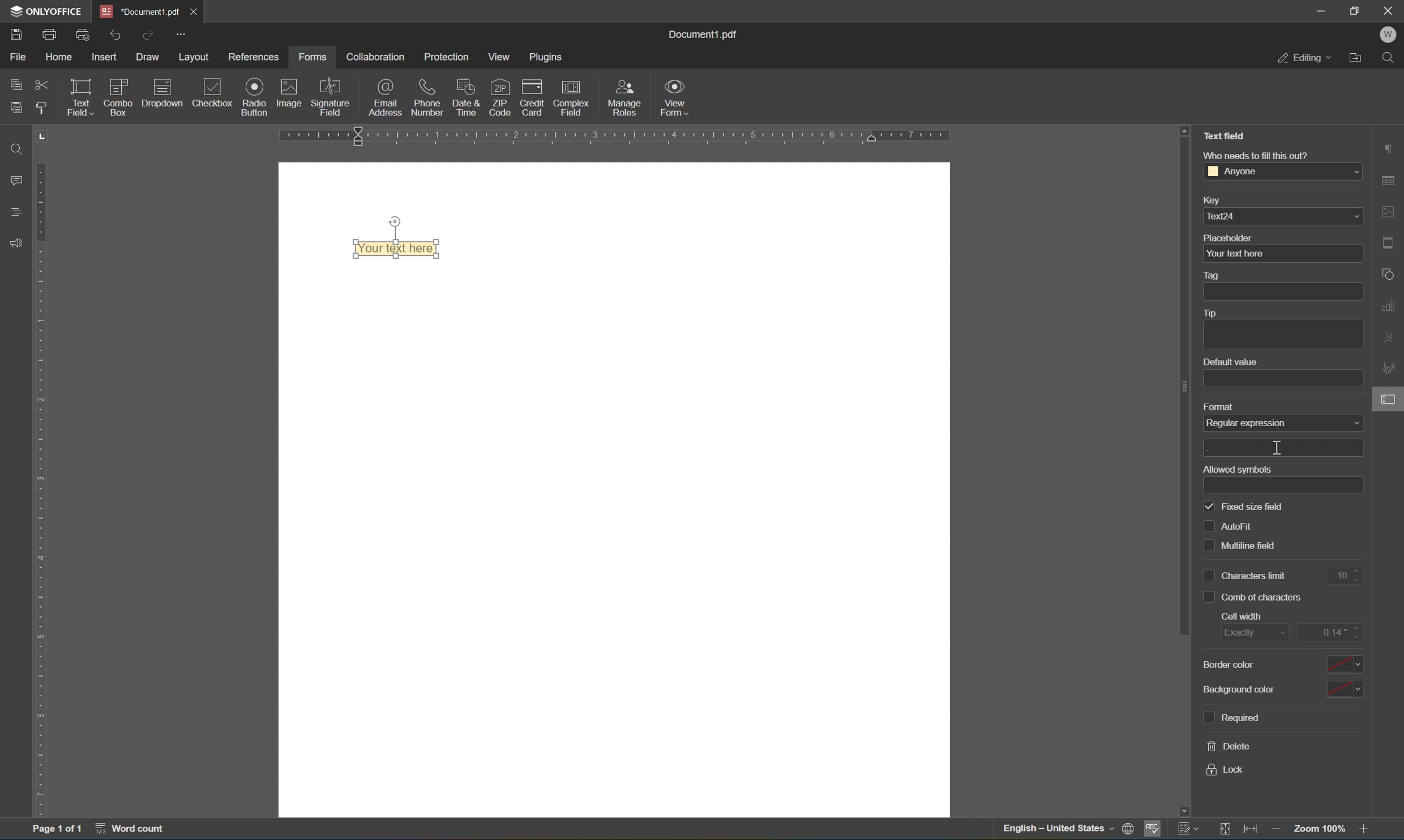 The width and height of the screenshot is (1404, 840). I want to click on exactly, so click(1255, 633).